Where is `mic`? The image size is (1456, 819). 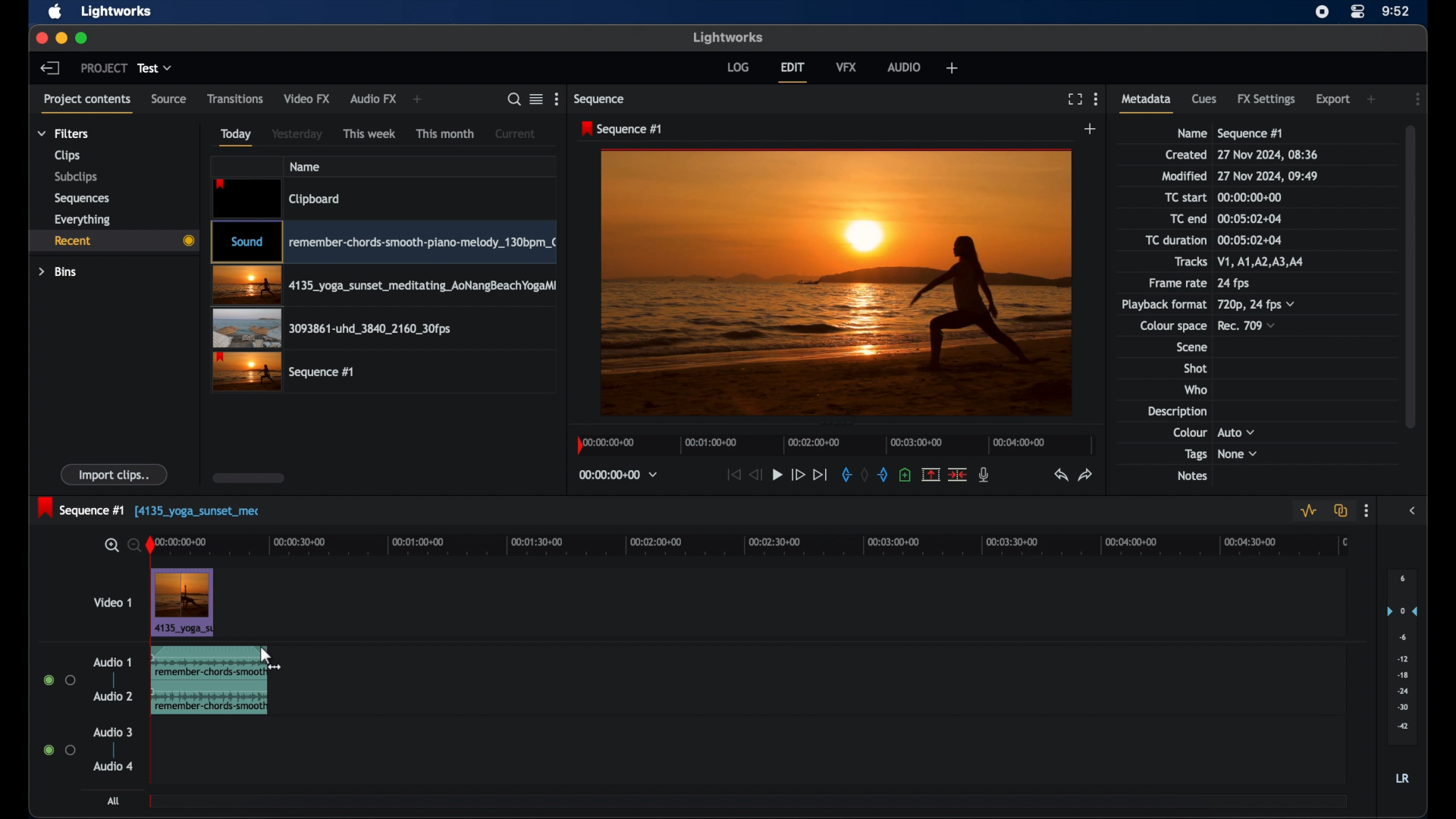
mic is located at coordinates (986, 475).